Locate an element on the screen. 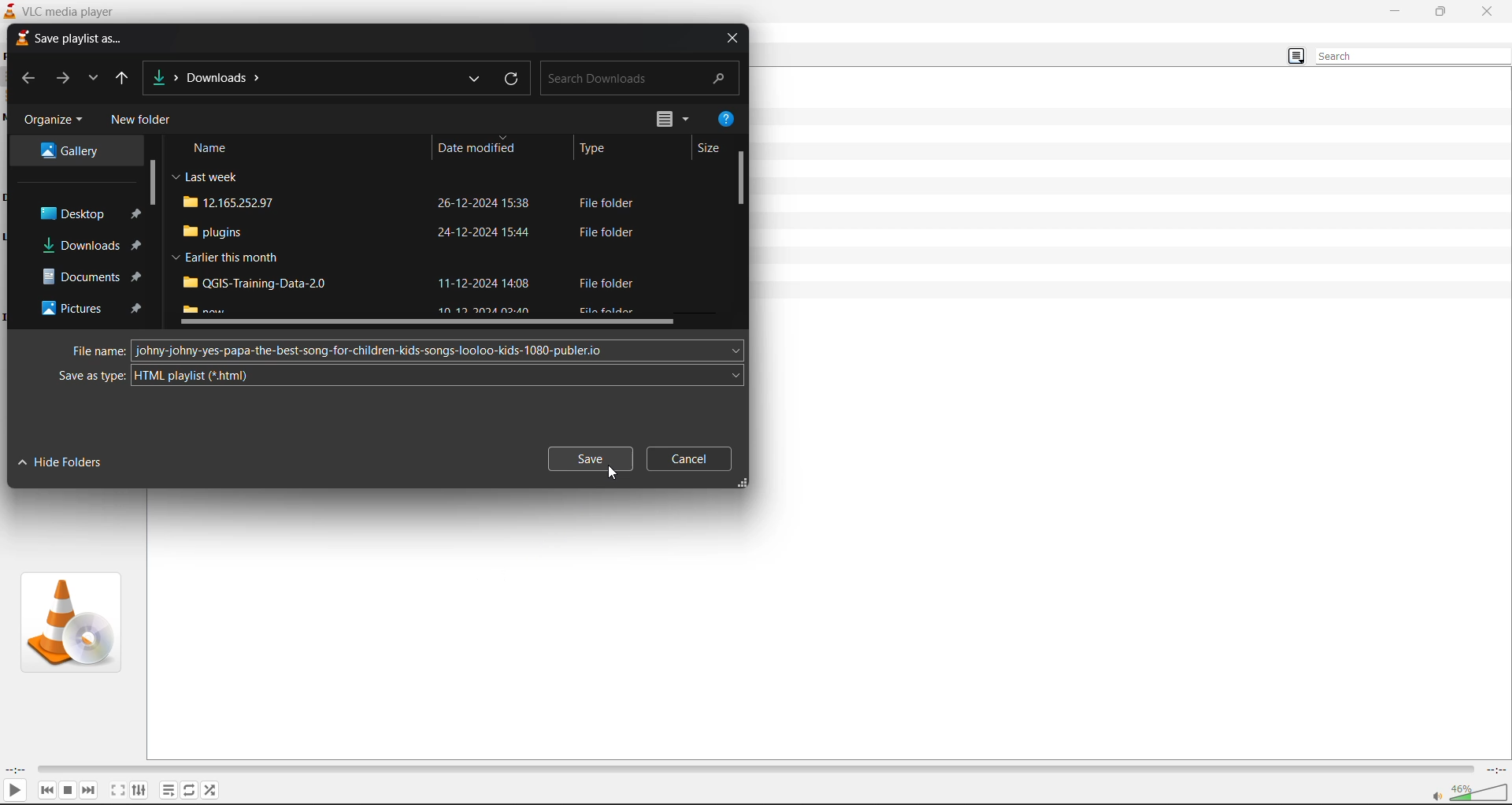 Image resolution: width=1512 pixels, height=805 pixels. gallery is located at coordinates (76, 149).